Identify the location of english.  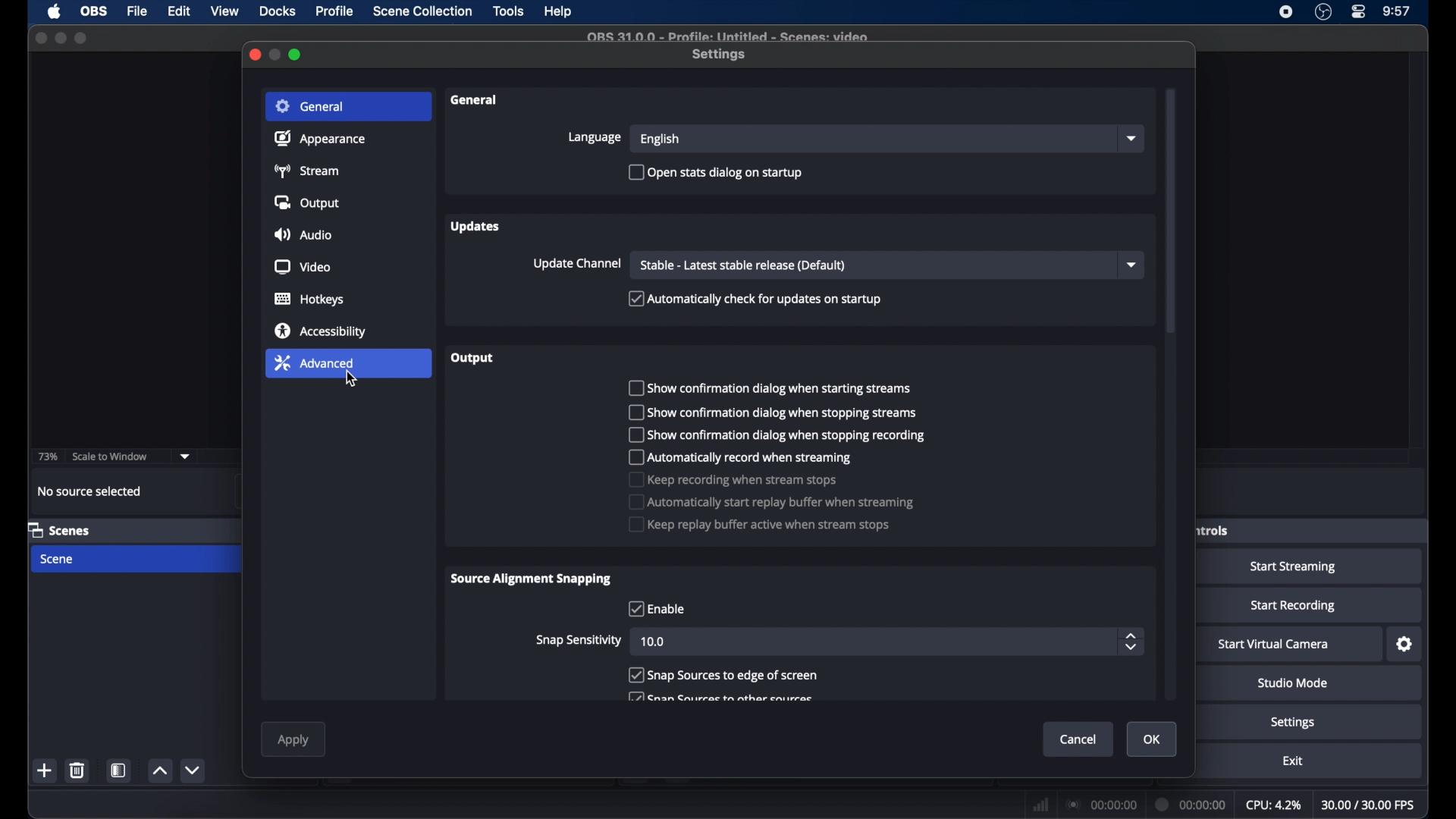
(661, 140).